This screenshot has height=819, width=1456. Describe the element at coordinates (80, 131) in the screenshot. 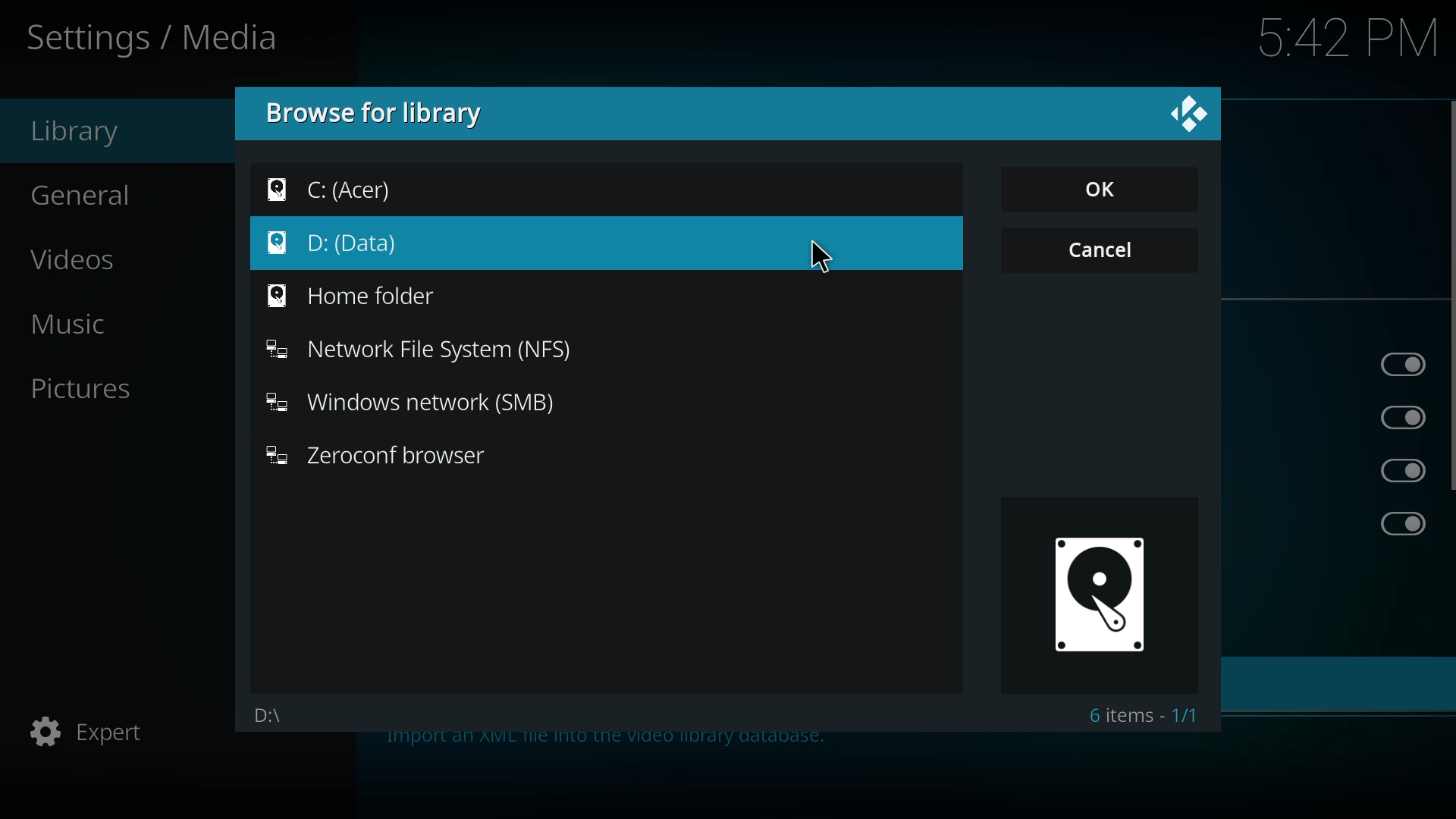

I see `library` at that location.